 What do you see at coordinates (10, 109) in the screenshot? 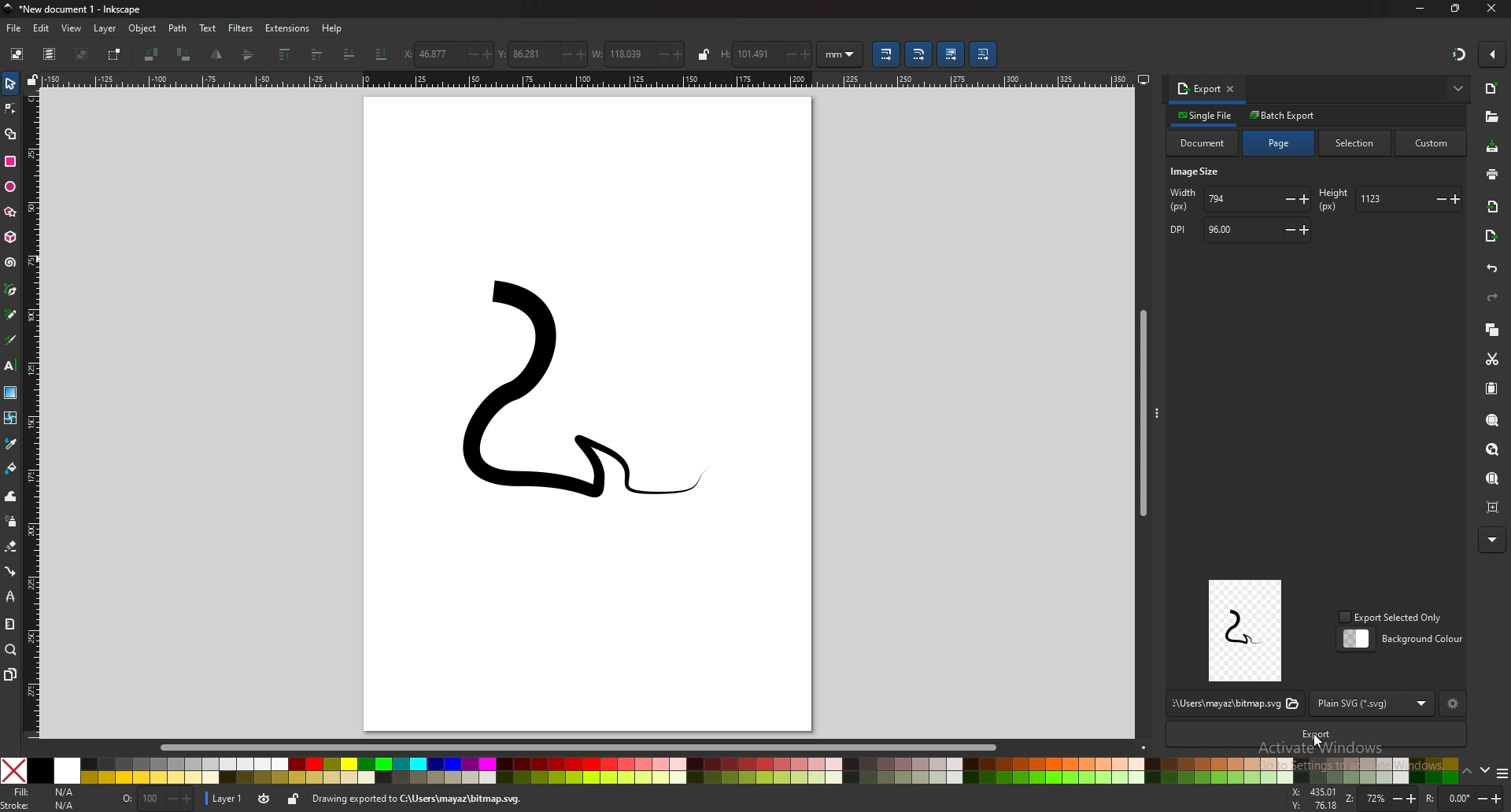
I see `node` at bounding box center [10, 109].